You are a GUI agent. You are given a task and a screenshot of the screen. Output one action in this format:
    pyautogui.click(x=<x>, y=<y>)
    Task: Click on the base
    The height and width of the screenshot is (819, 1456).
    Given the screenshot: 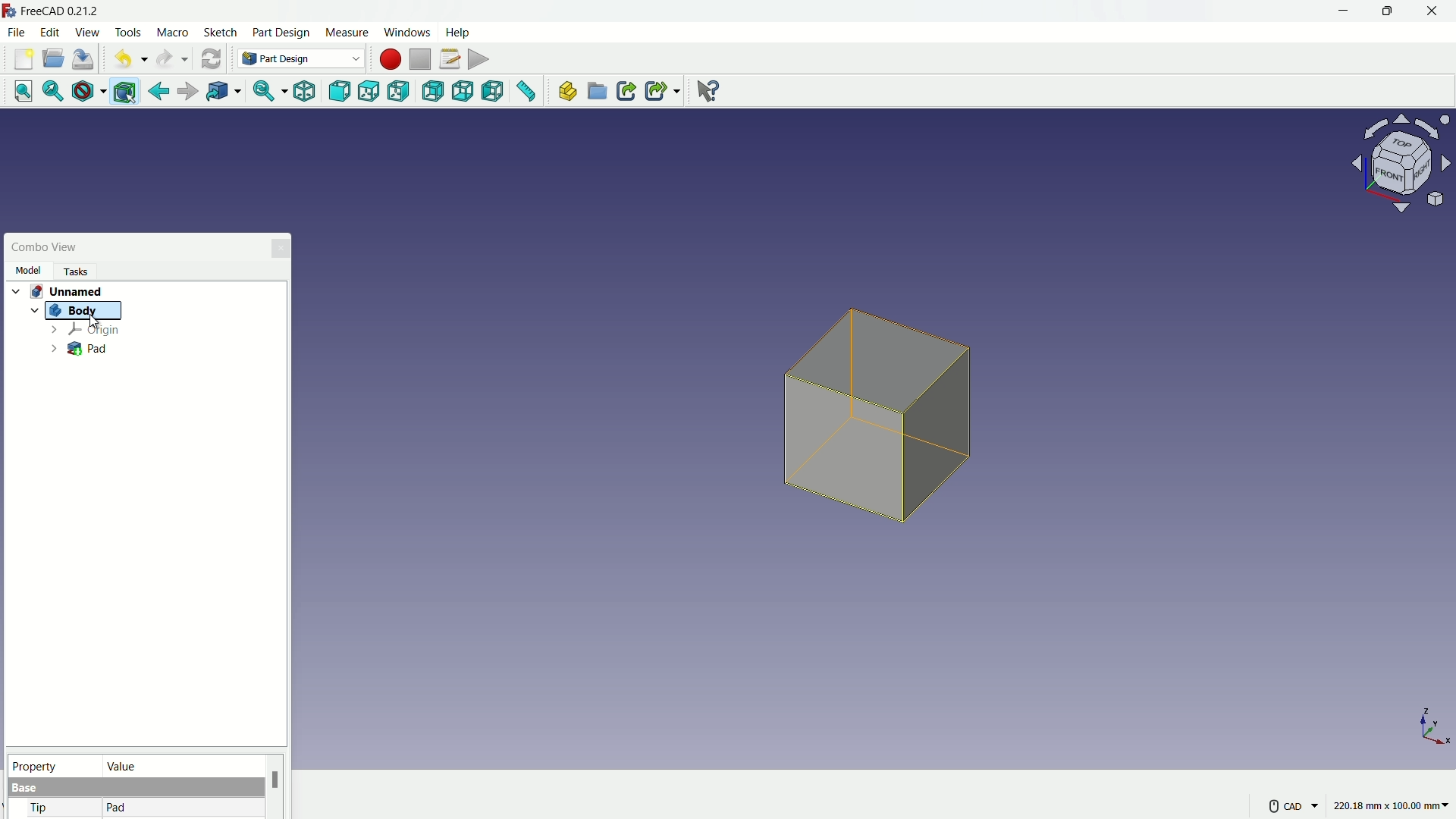 What is the action you would take?
    pyautogui.click(x=26, y=789)
    